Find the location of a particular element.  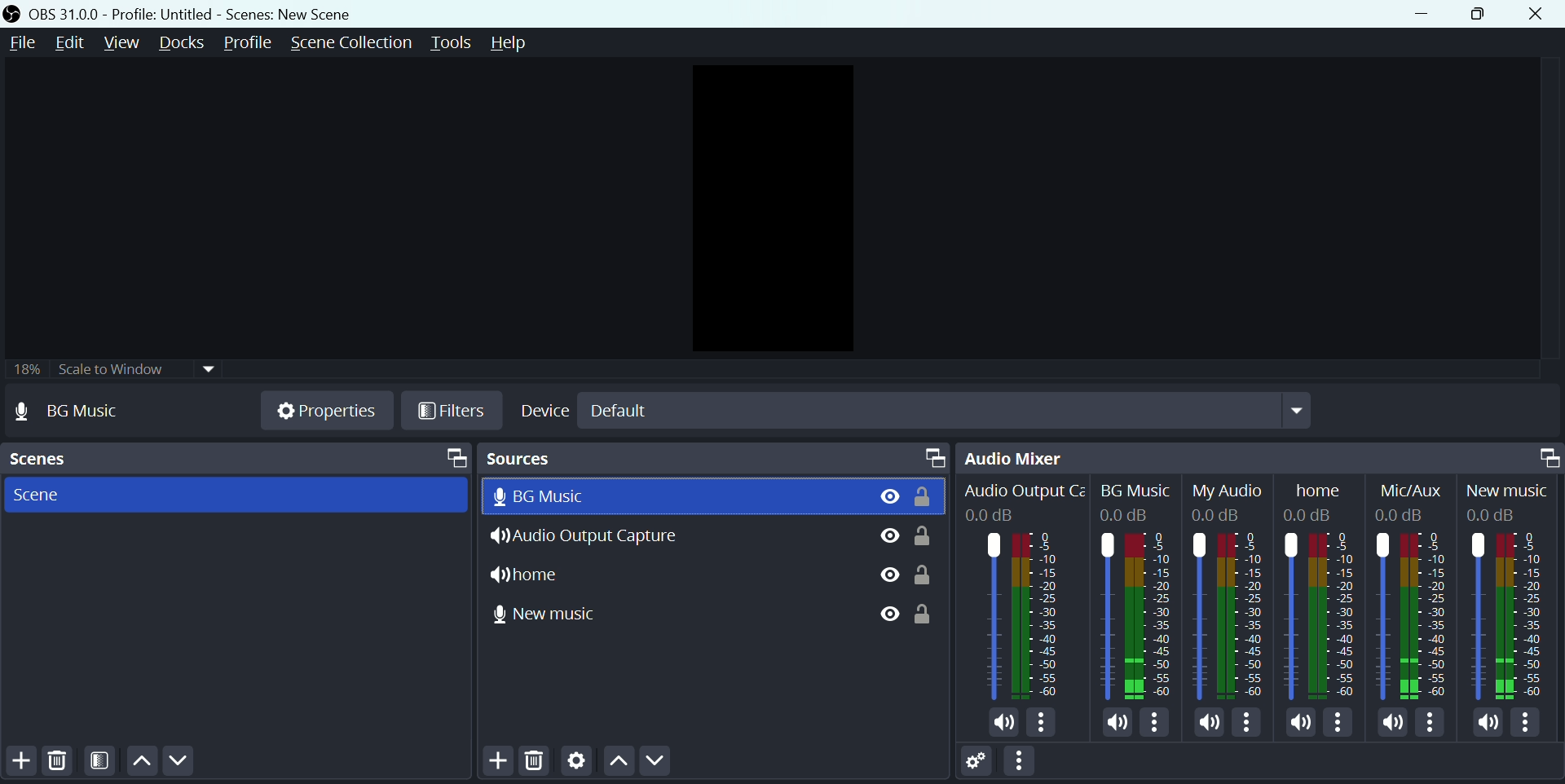

More is located at coordinates (1340, 724).